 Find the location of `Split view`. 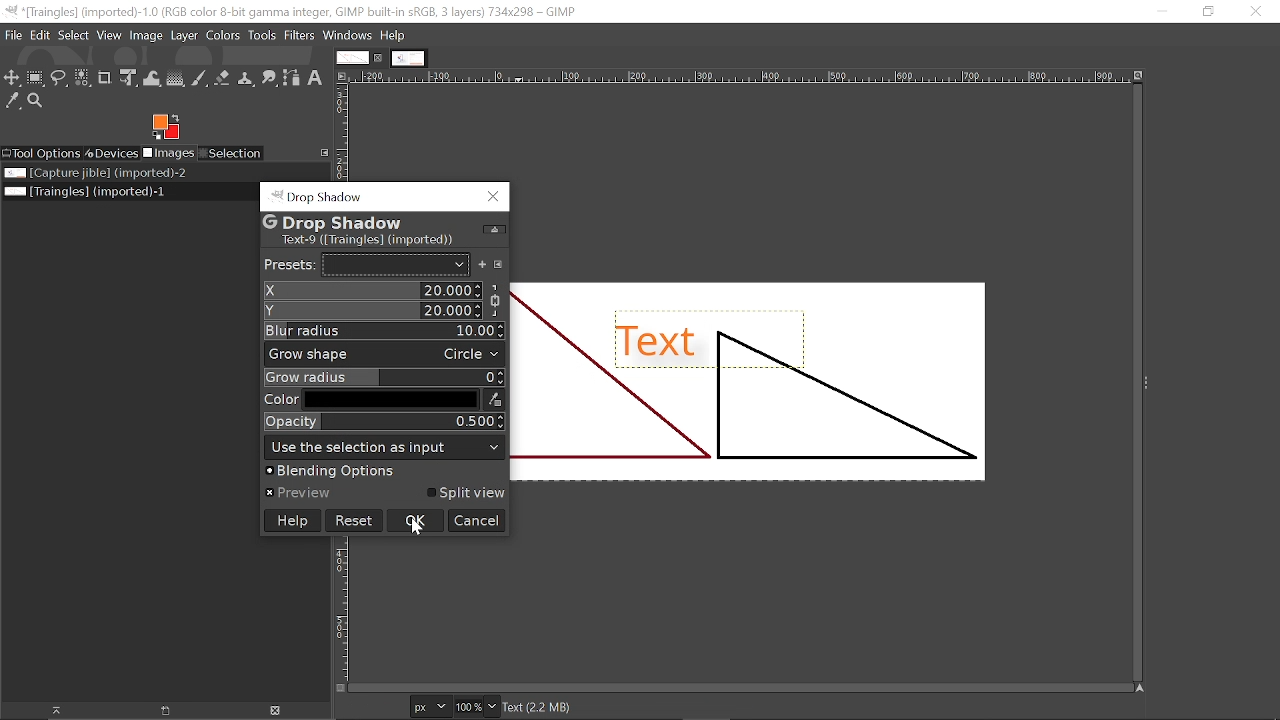

Split view is located at coordinates (466, 494).